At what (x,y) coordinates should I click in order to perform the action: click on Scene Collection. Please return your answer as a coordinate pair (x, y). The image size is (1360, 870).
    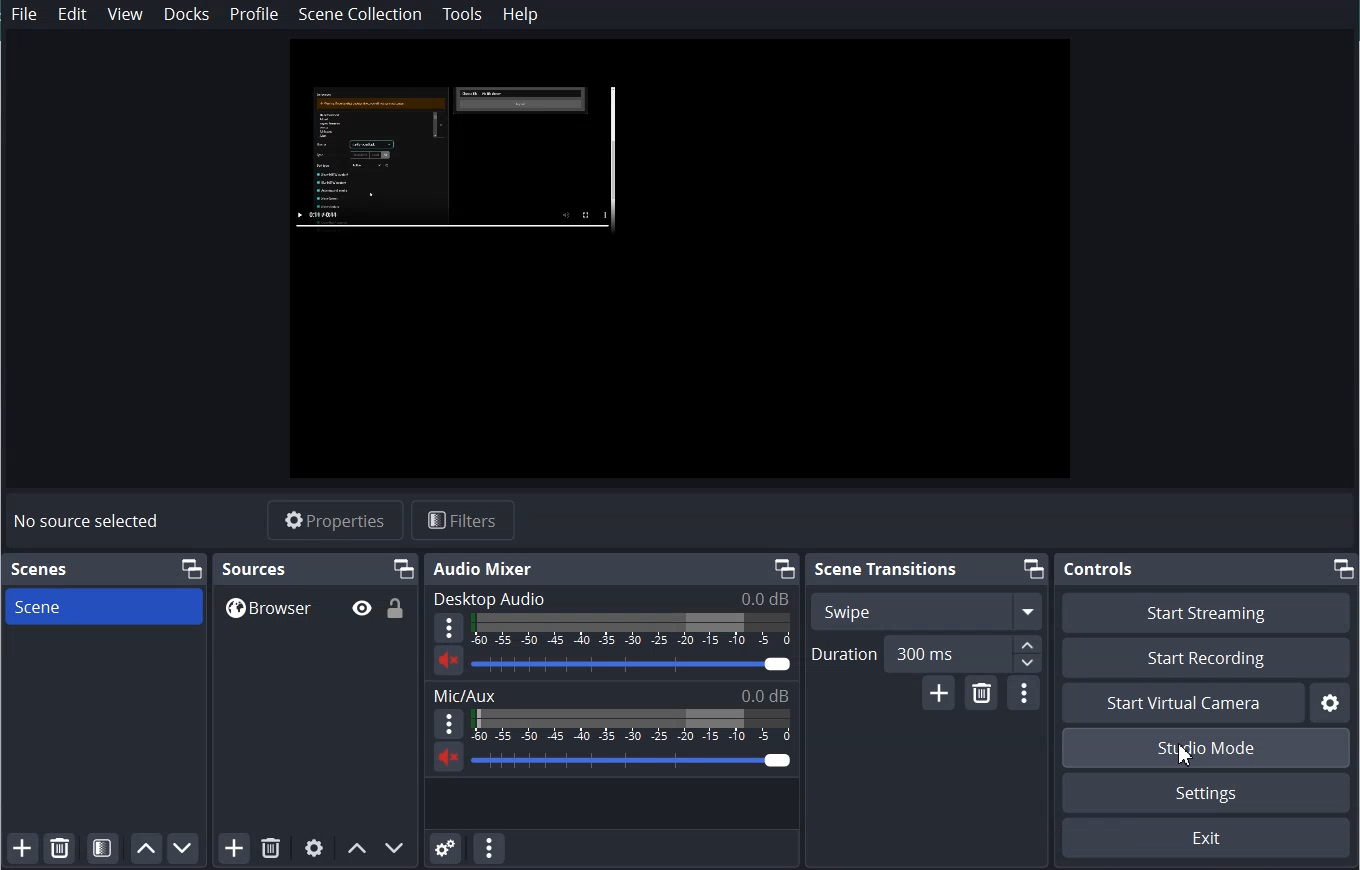
    Looking at the image, I should click on (360, 13).